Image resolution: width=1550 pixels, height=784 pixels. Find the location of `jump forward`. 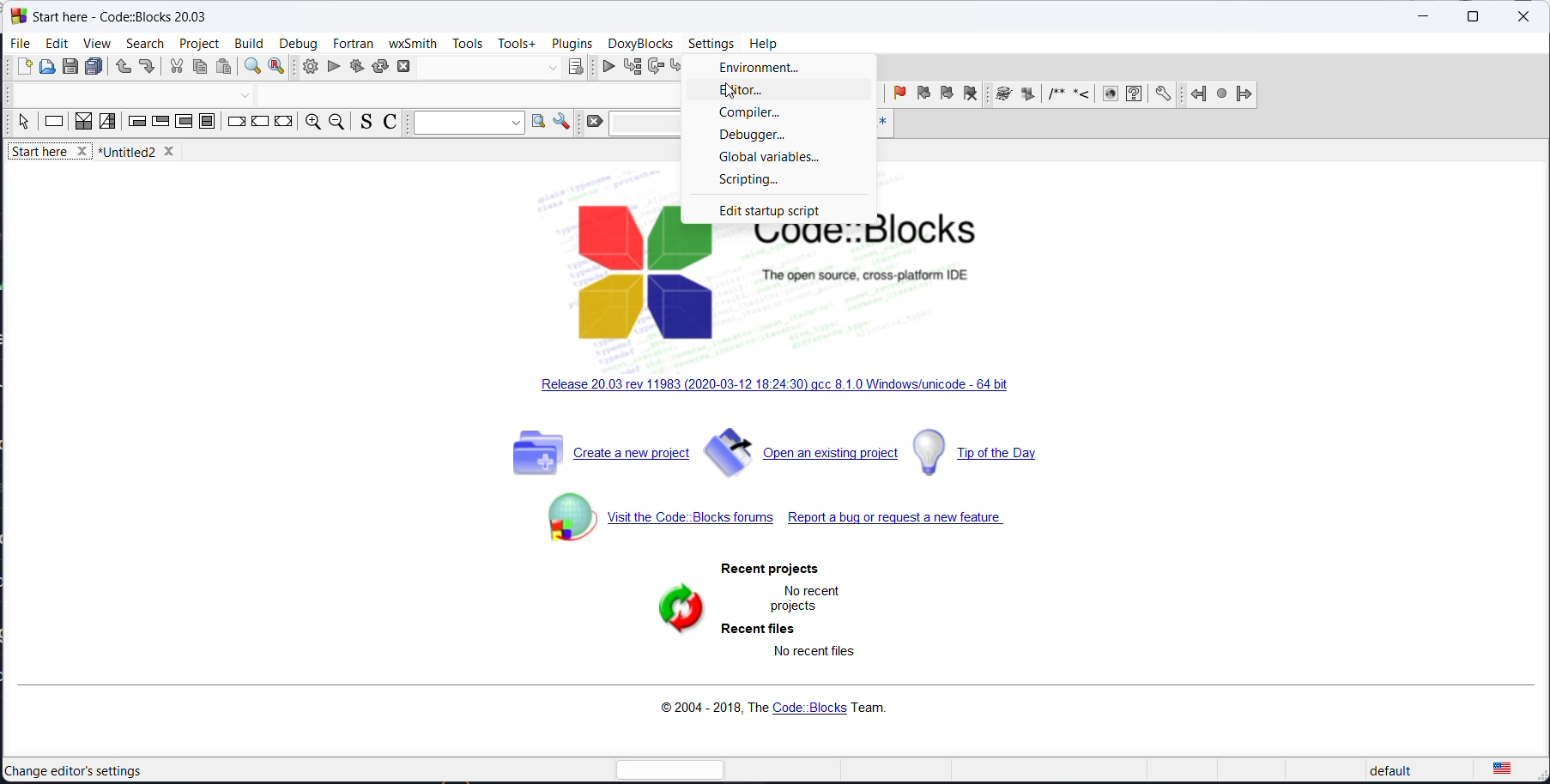

jump forward is located at coordinates (1244, 94).